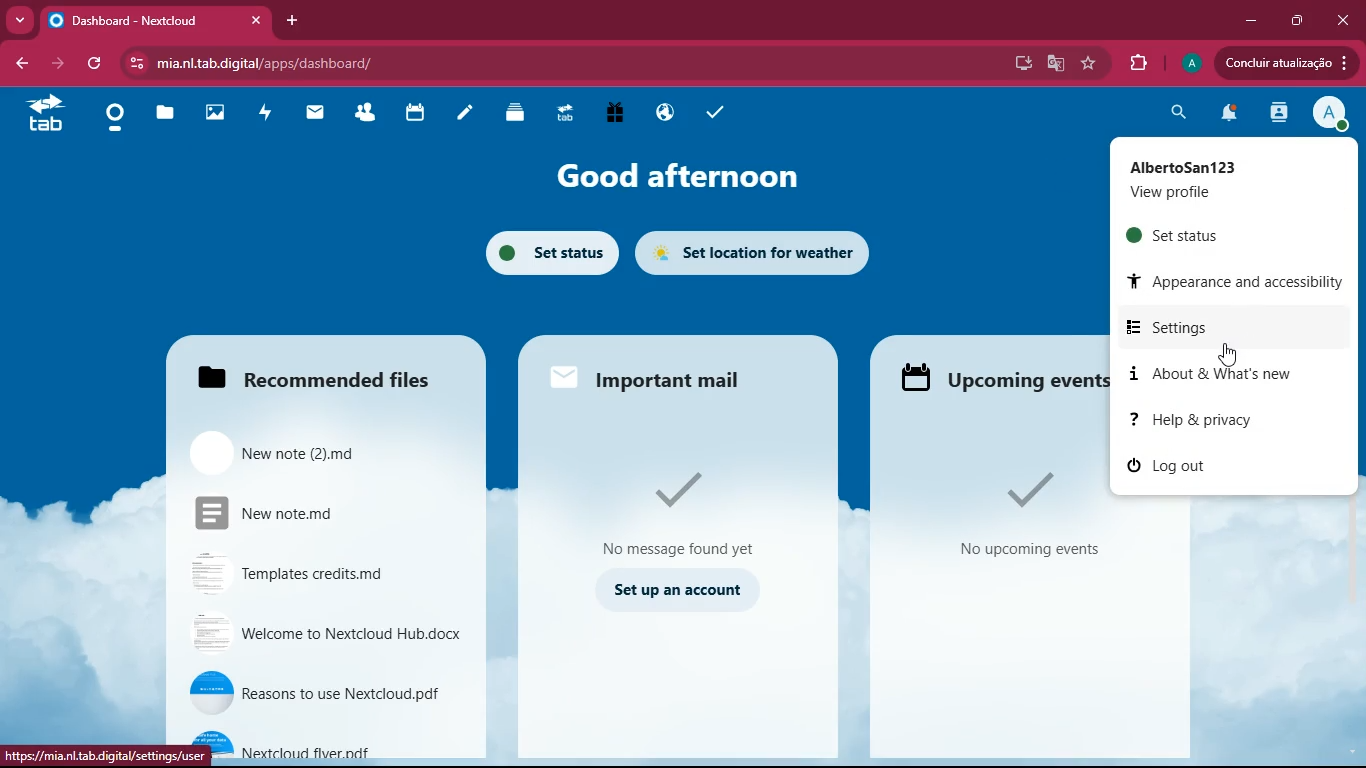 This screenshot has height=768, width=1366. What do you see at coordinates (154, 21) in the screenshot?
I see `Dashboard - Nextcloud` at bounding box center [154, 21].